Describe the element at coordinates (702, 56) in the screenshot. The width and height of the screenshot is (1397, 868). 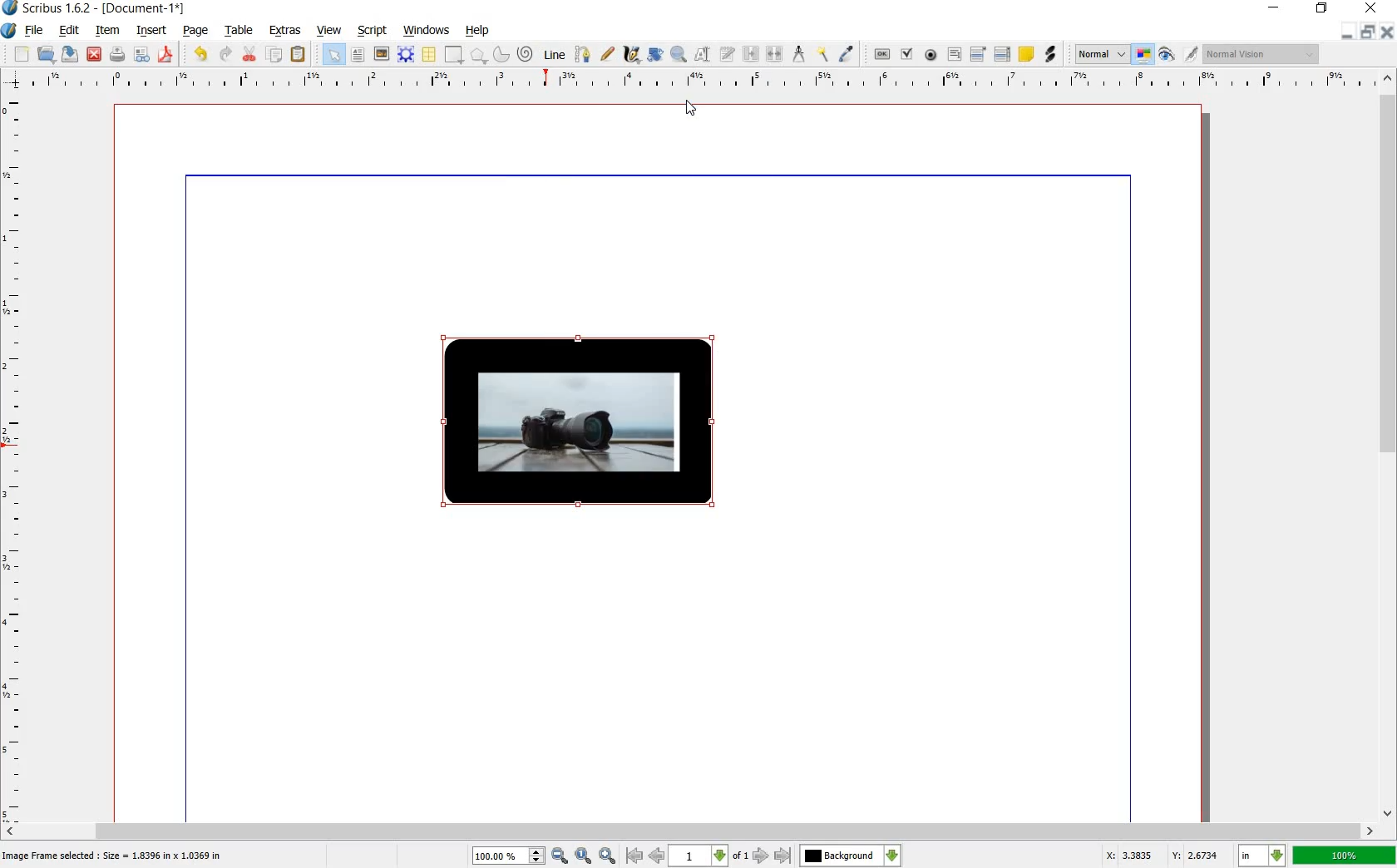
I see `edit contents of frame` at that location.